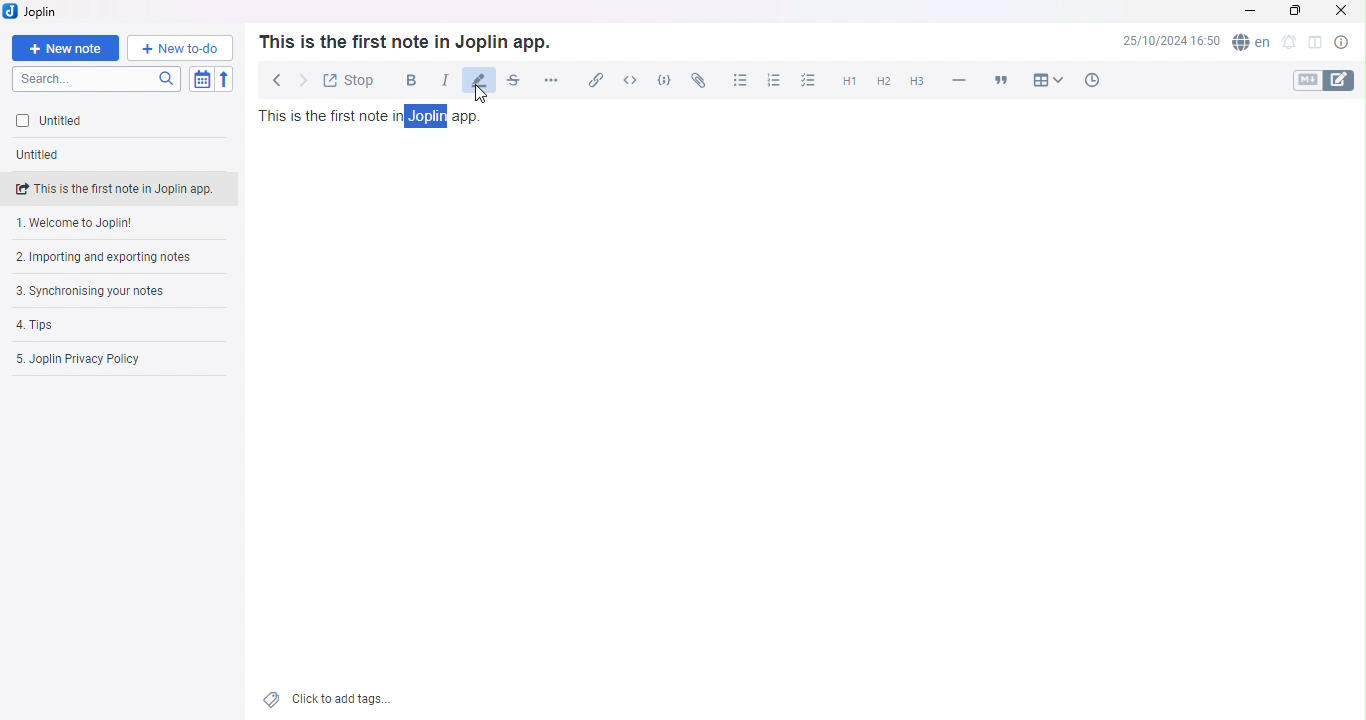 This screenshot has height=720, width=1366. Describe the element at coordinates (664, 80) in the screenshot. I see `Code block` at that location.